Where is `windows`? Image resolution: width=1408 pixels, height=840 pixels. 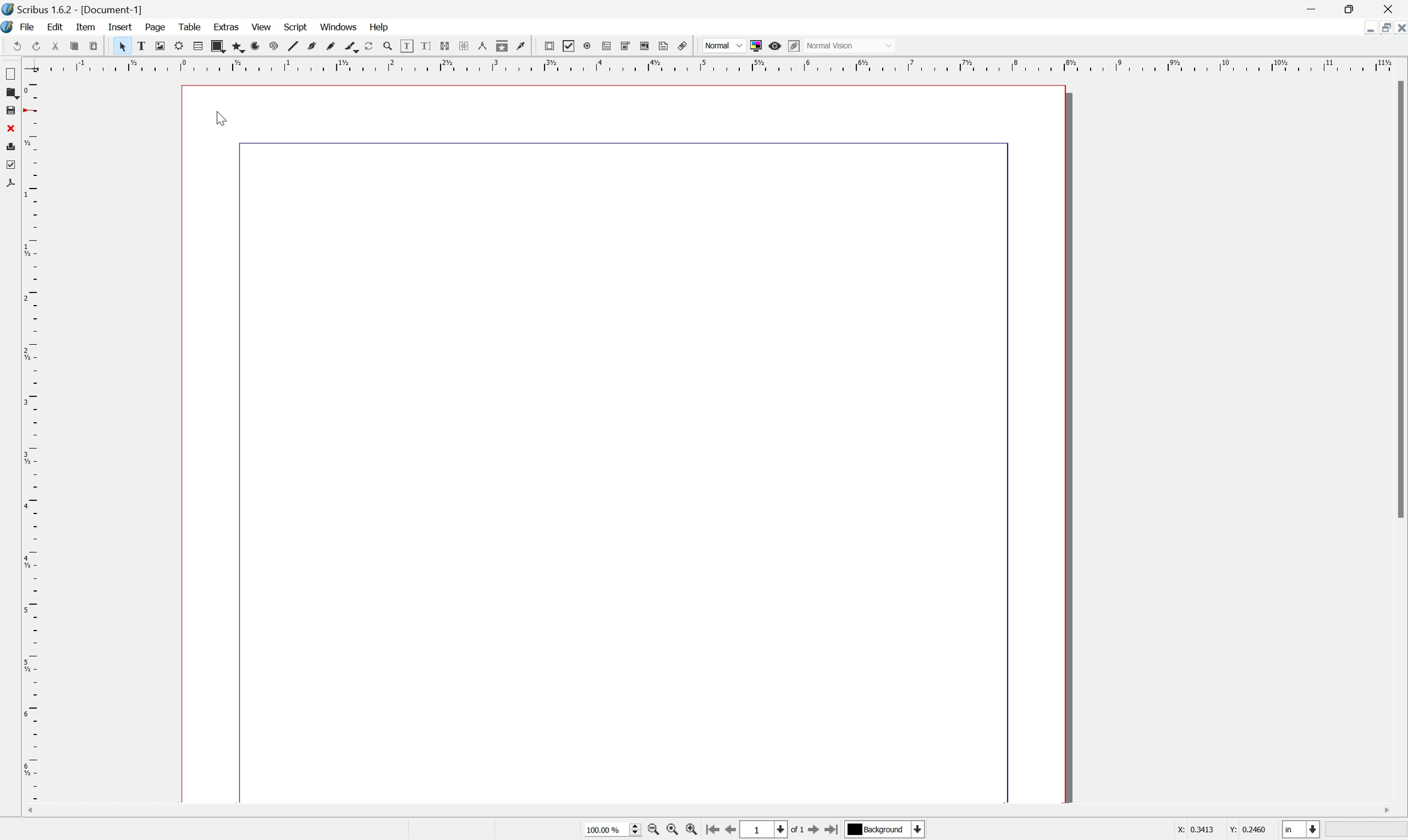
windows is located at coordinates (340, 28).